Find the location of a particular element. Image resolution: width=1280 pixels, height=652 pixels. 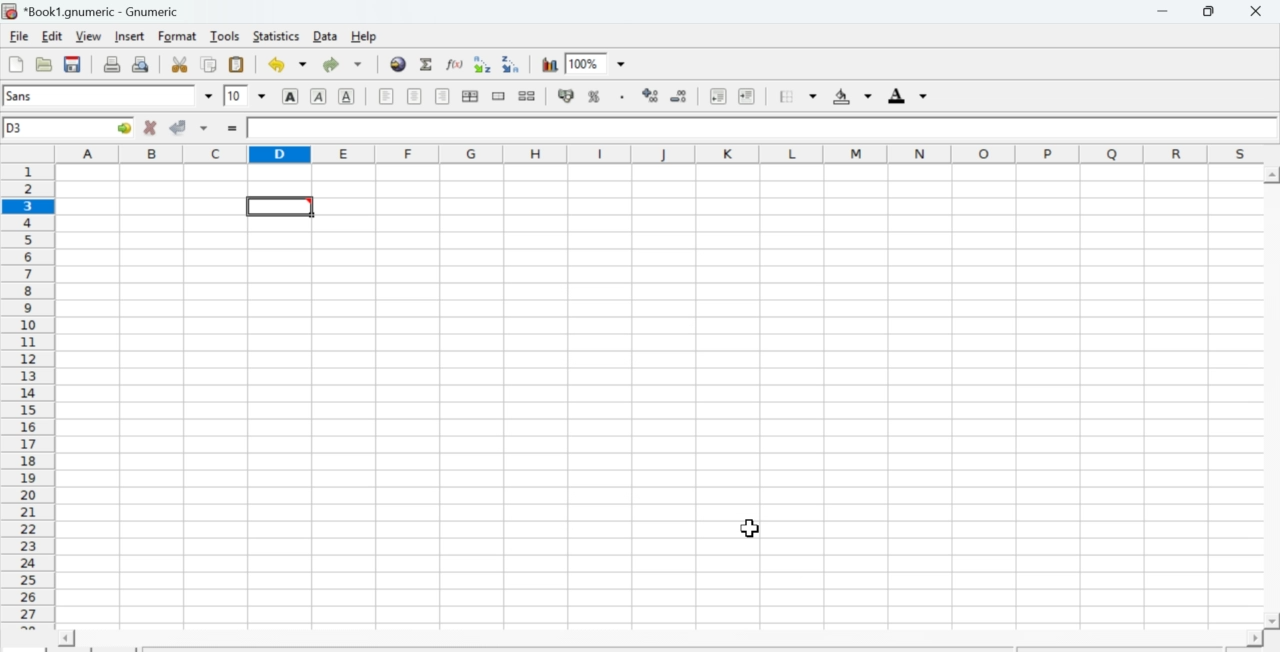

Bold is located at coordinates (287, 96).